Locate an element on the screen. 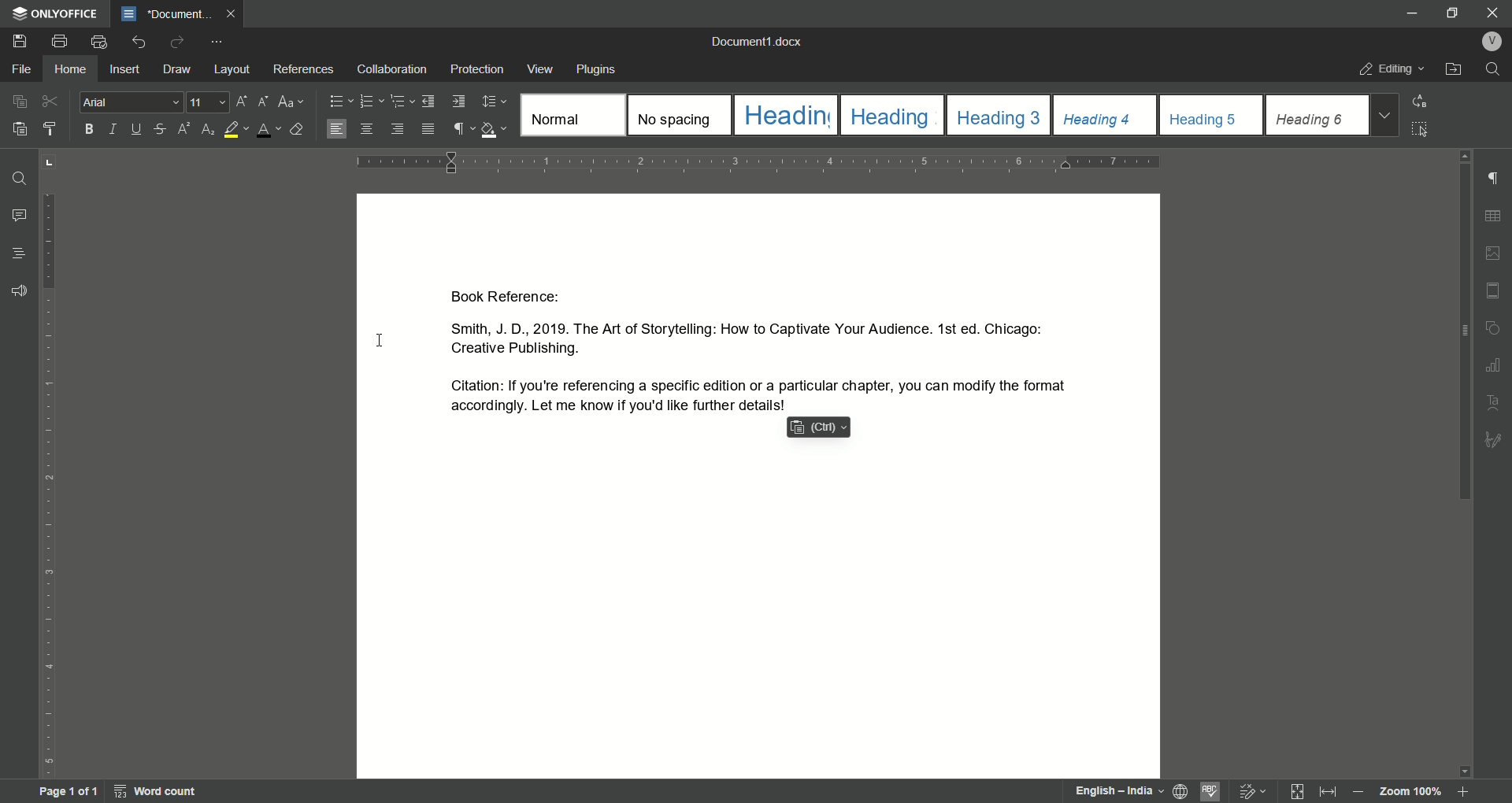 This screenshot has width=1512, height=803. cut is located at coordinates (50, 101).